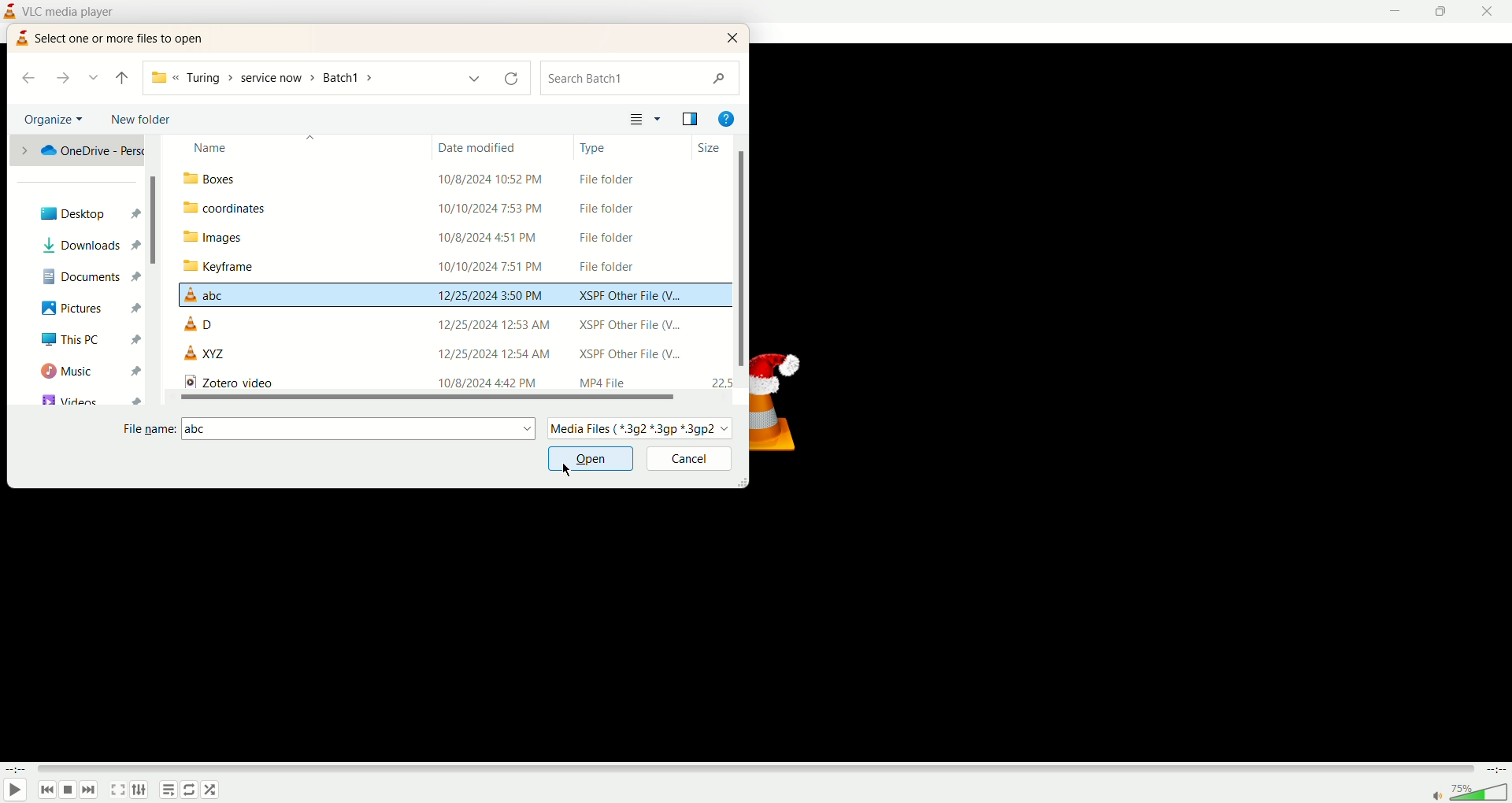 Image resolution: width=1512 pixels, height=803 pixels. Describe the element at coordinates (510, 80) in the screenshot. I see `reload` at that location.